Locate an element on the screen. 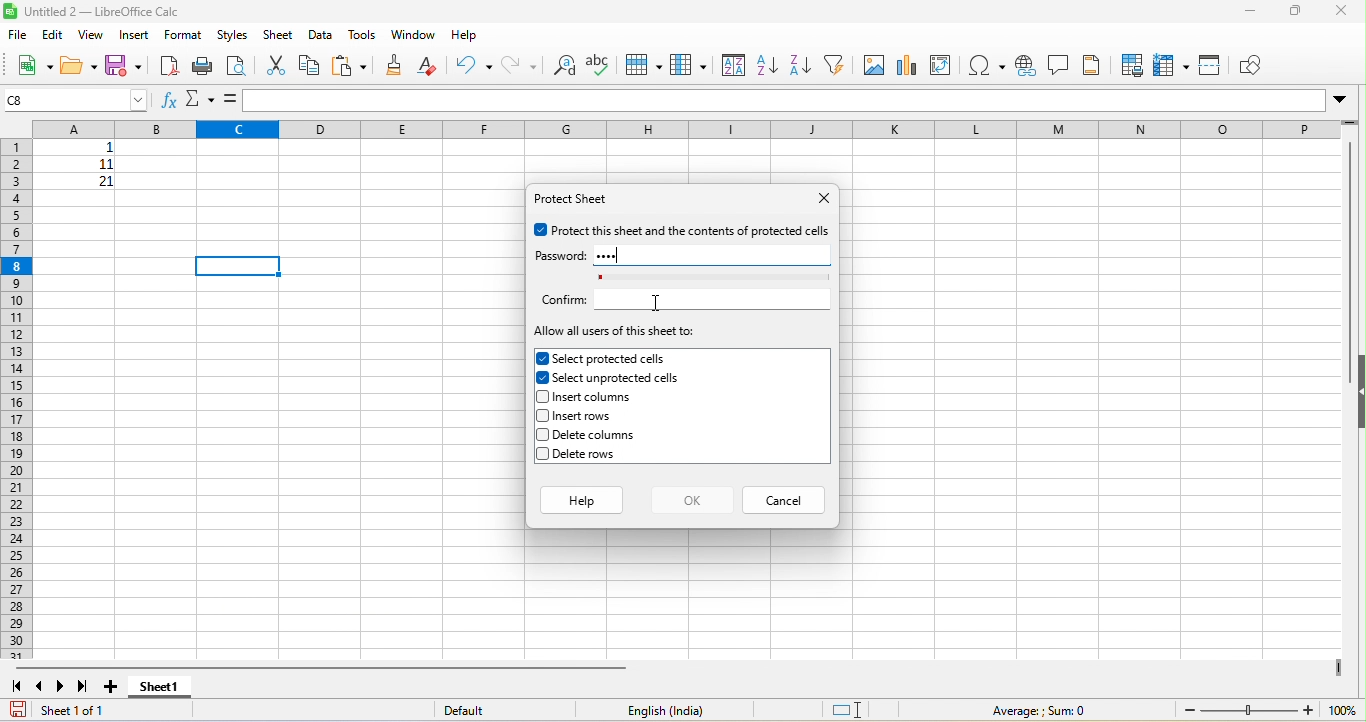 This screenshot has width=1366, height=722. show draw function is located at coordinates (1256, 67).